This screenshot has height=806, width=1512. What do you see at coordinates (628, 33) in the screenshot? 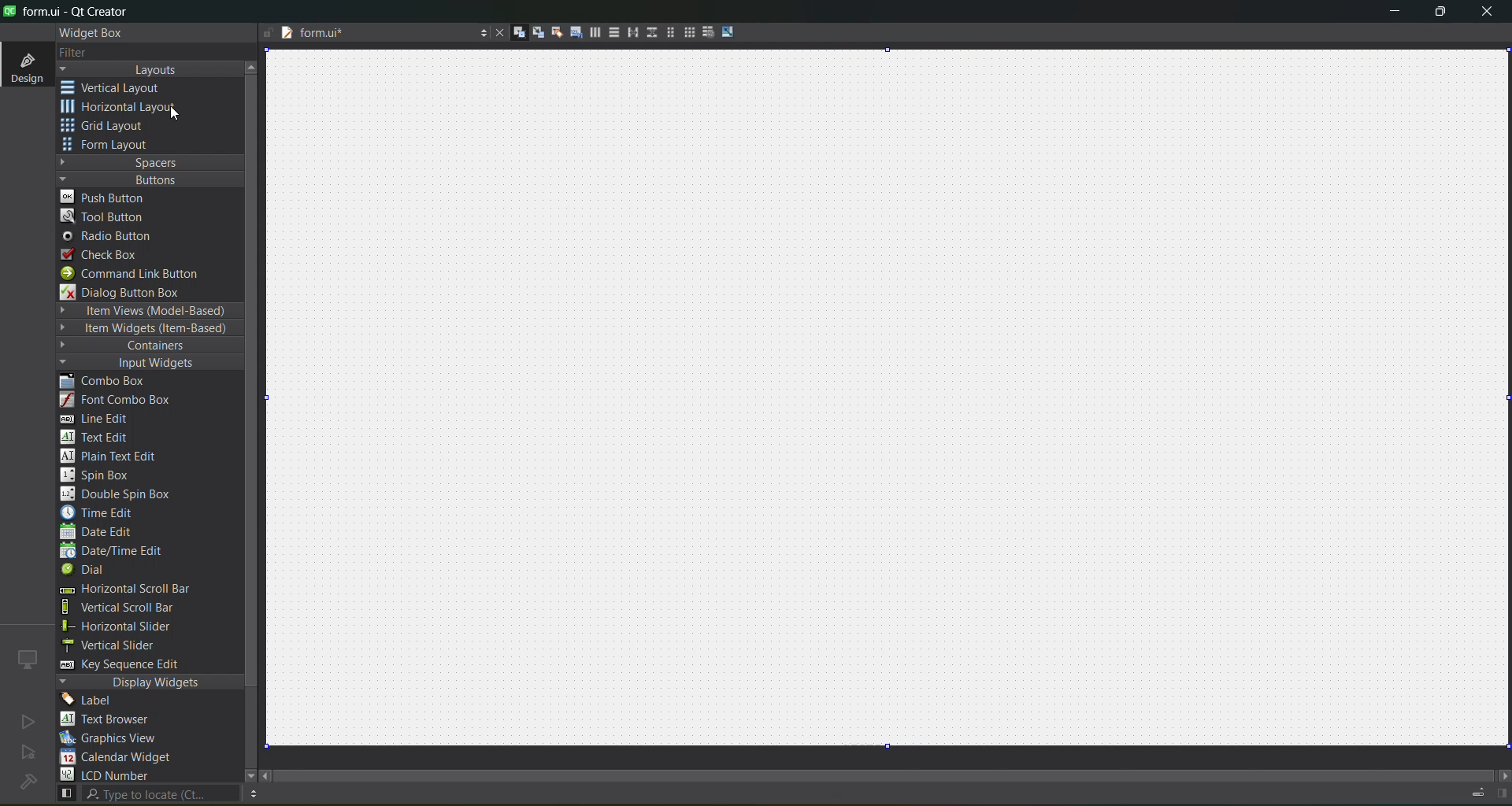
I see `horizontal splitter` at bounding box center [628, 33].